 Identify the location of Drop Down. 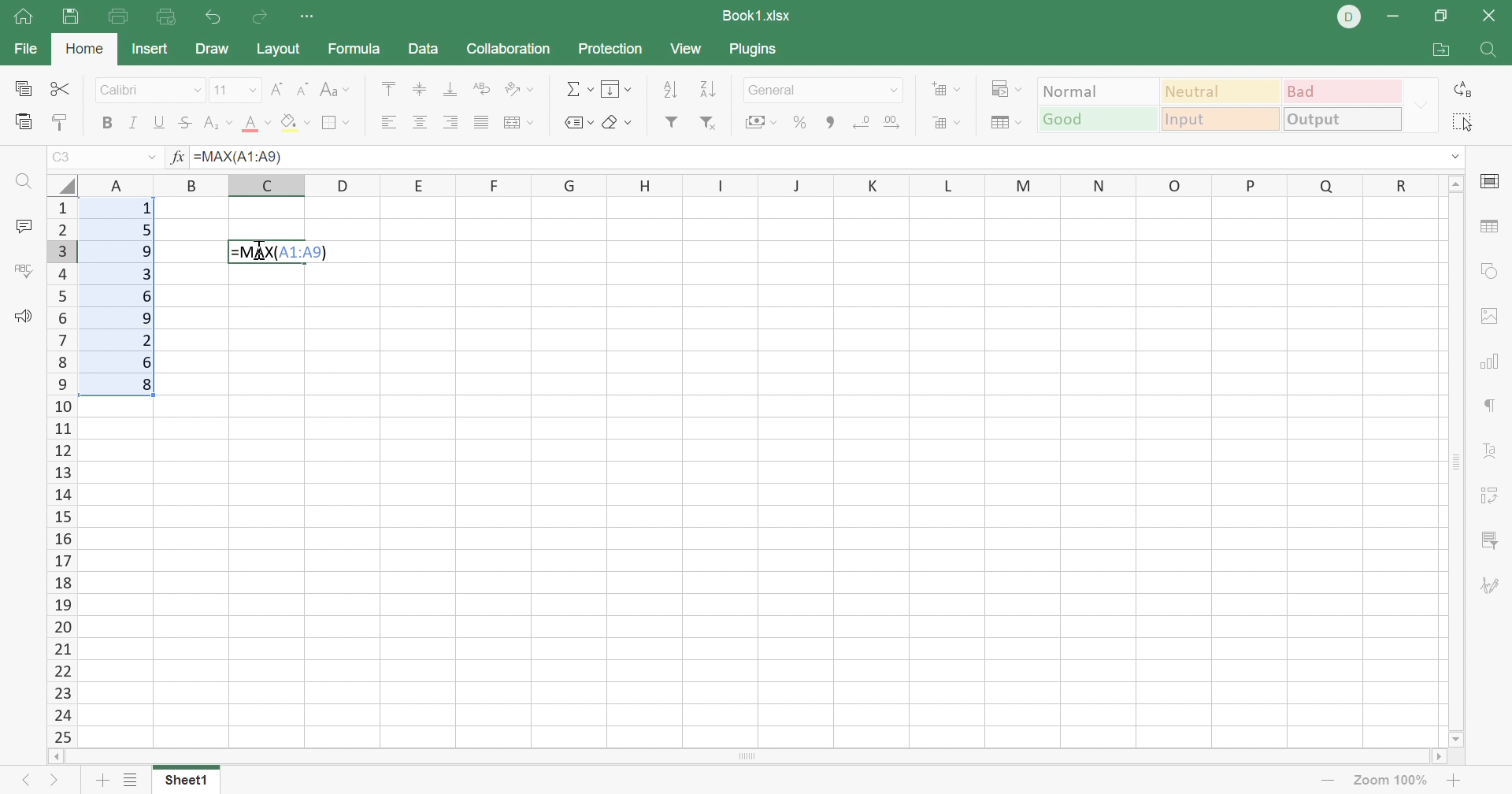
(1457, 161).